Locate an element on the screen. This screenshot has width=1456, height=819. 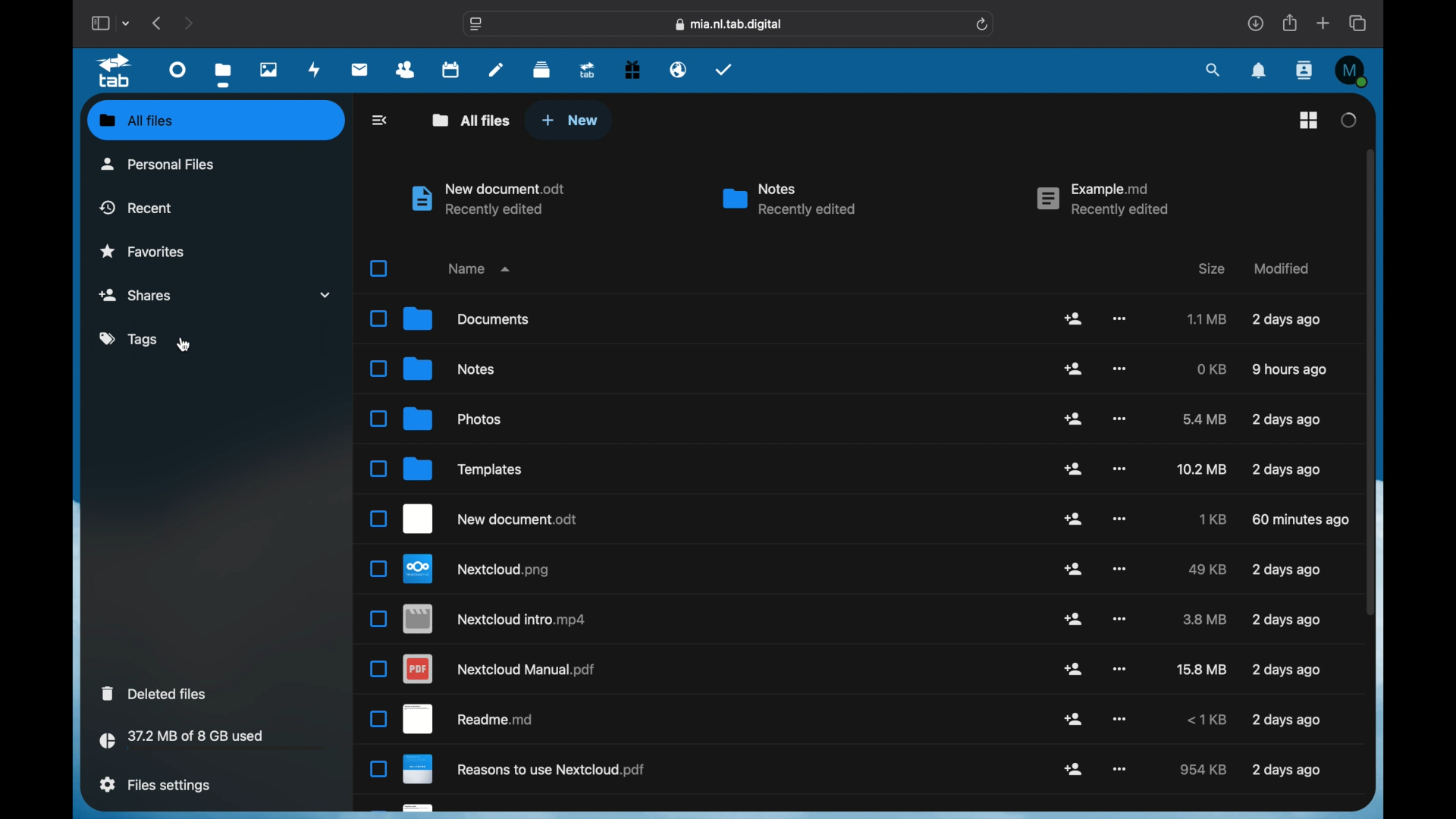
tab group picker is located at coordinates (126, 23).